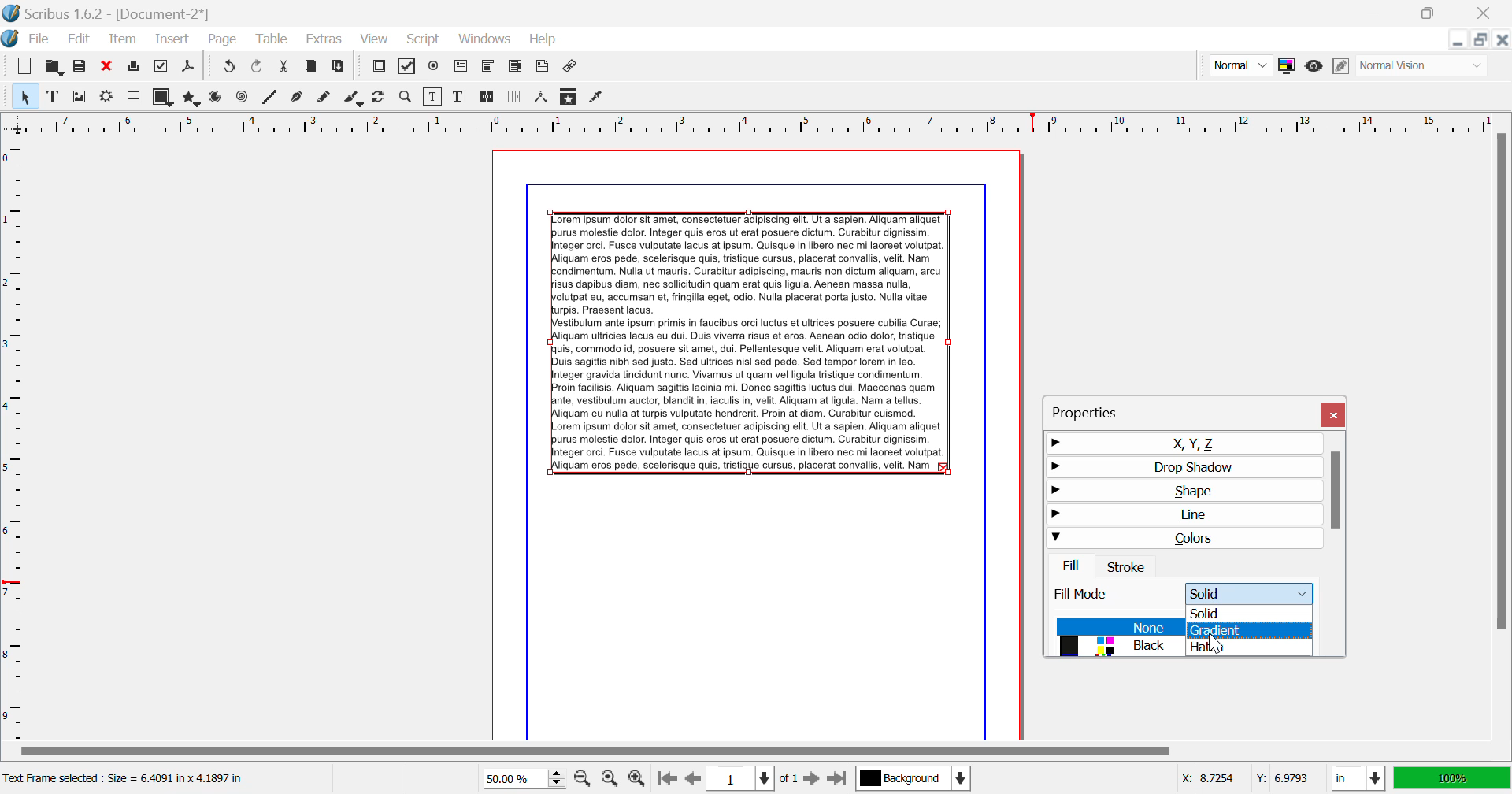 The width and height of the screenshot is (1512, 794). Describe the element at coordinates (1180, 466) in the screenshot. I see `Drop Shadow` at that location.